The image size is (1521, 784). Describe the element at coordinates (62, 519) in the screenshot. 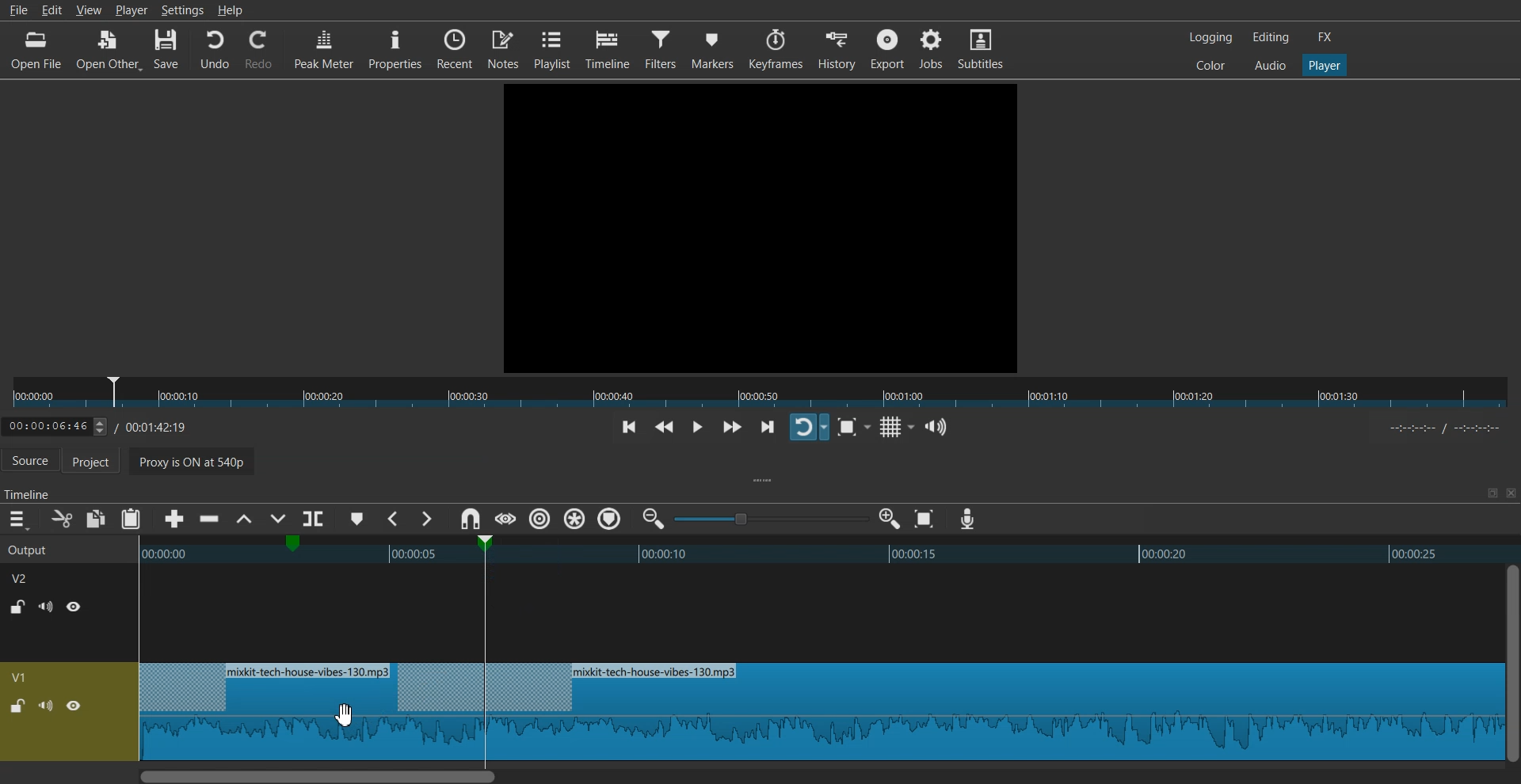

I see `Cut` at that location.